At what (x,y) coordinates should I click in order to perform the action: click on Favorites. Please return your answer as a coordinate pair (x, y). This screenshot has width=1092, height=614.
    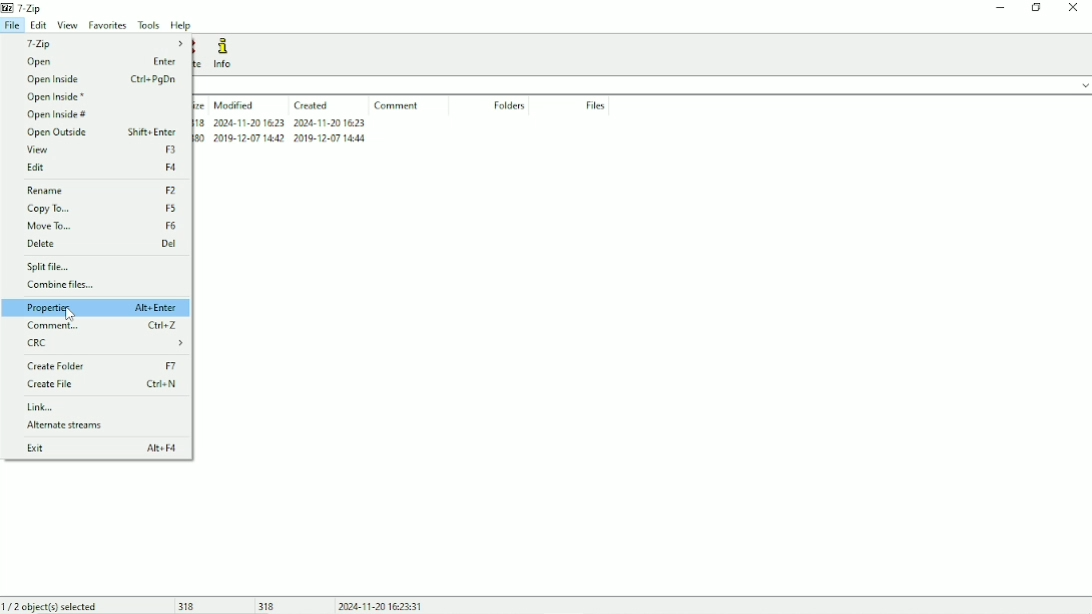
    Looking at the image, I should click on (108, 24).